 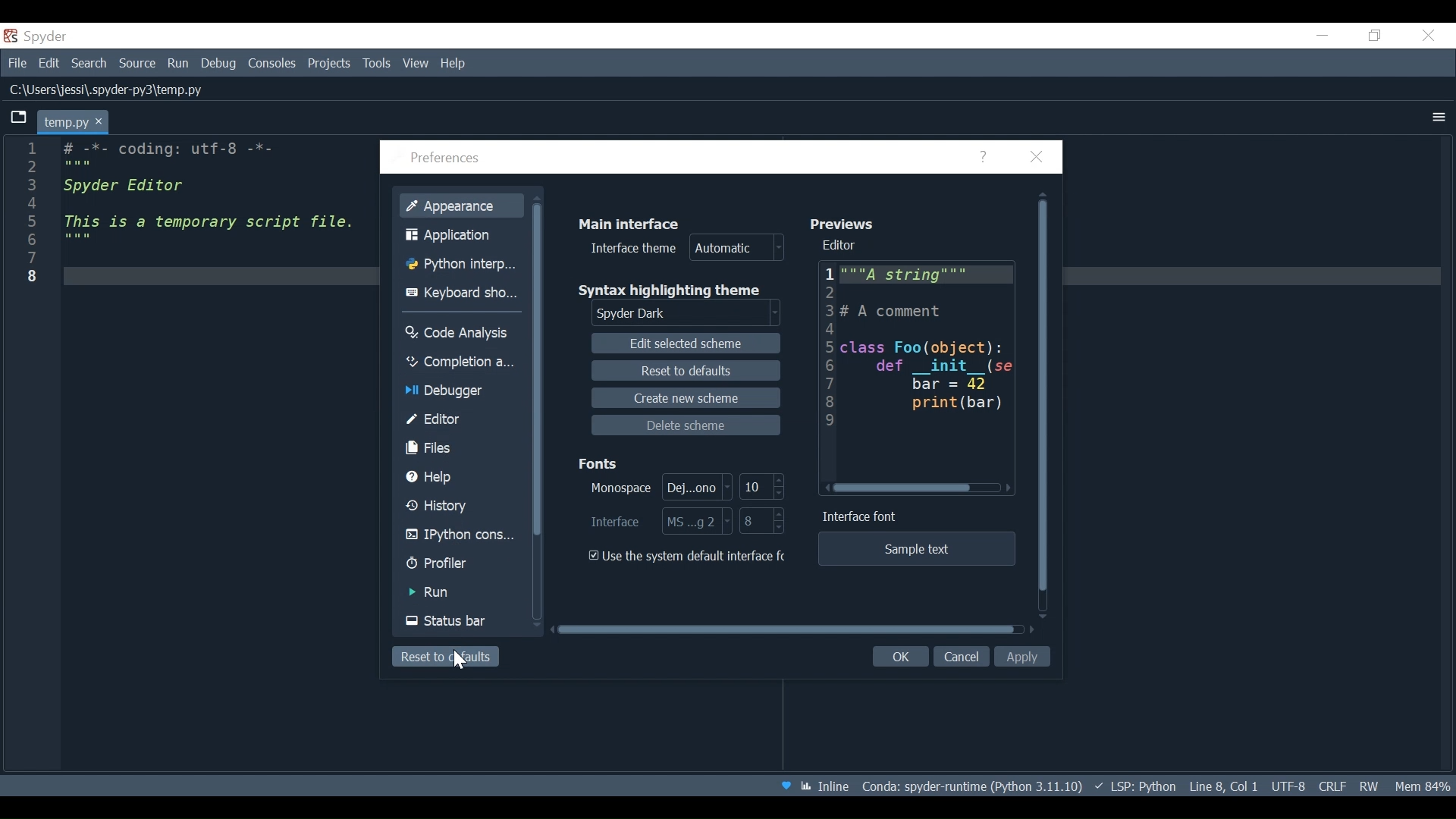 What do you see at coordinates (465, 265) in the screenshot?
I see `Python Interpreter` at bounding box center [465, 265].